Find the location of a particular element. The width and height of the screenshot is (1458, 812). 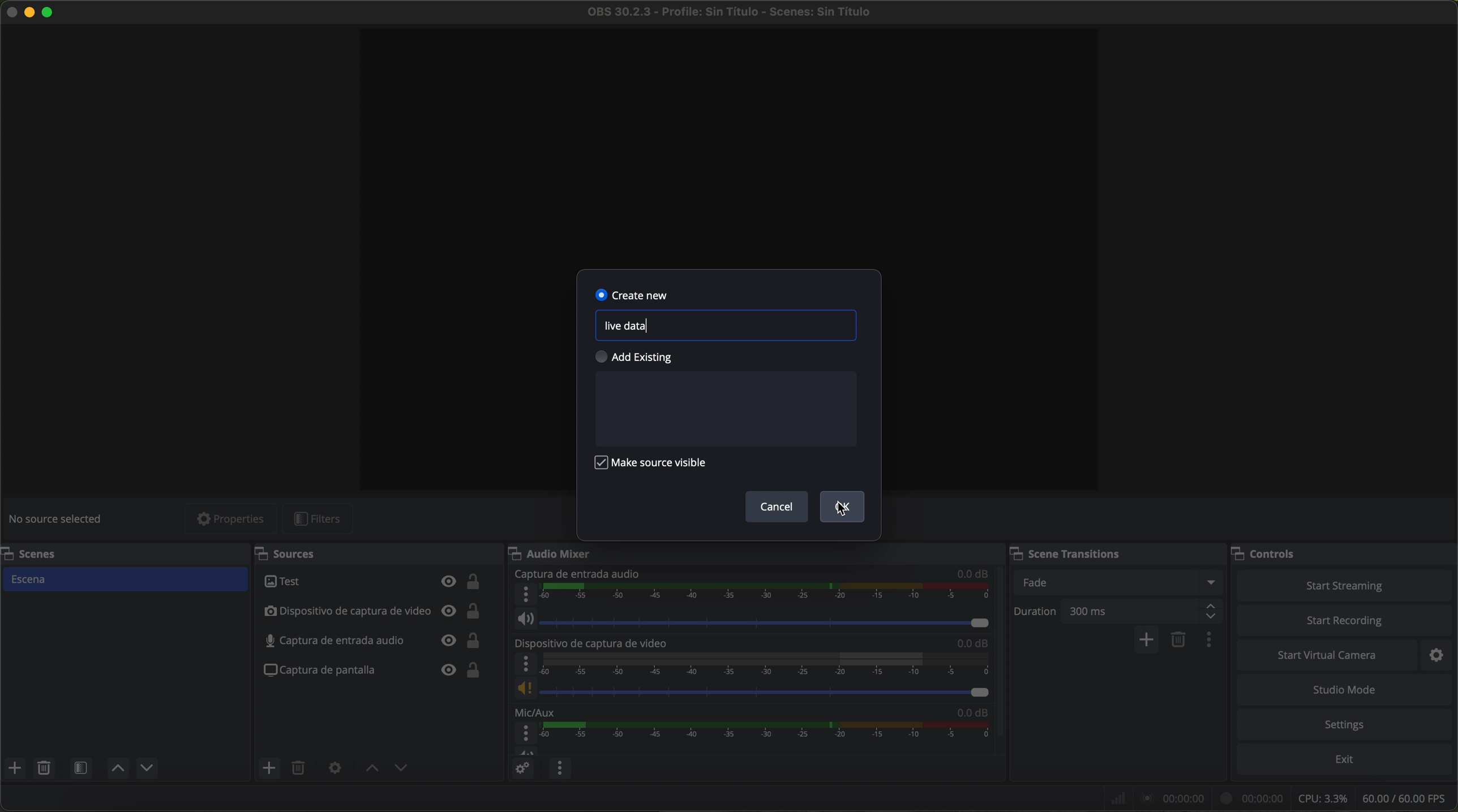

maximize program is located at coordinates (50, 14).